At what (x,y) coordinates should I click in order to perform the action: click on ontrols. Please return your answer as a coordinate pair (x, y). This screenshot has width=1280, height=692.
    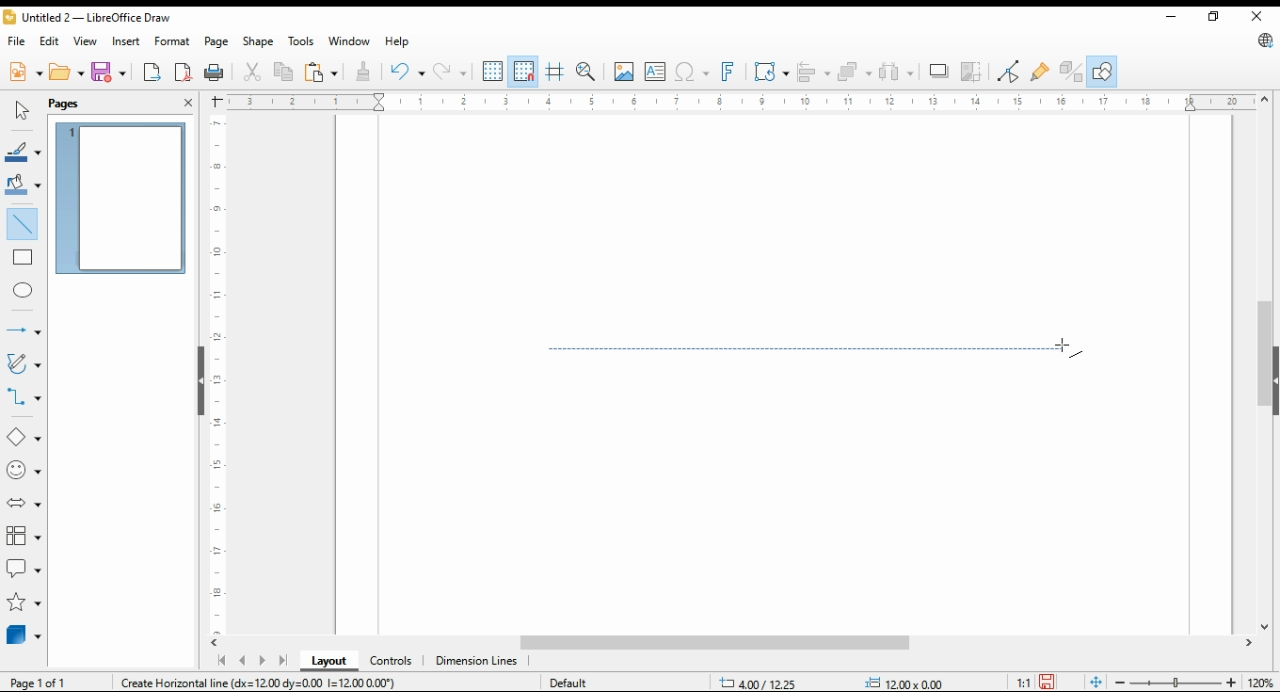
    Looking at the image, I should click on (392, 661).